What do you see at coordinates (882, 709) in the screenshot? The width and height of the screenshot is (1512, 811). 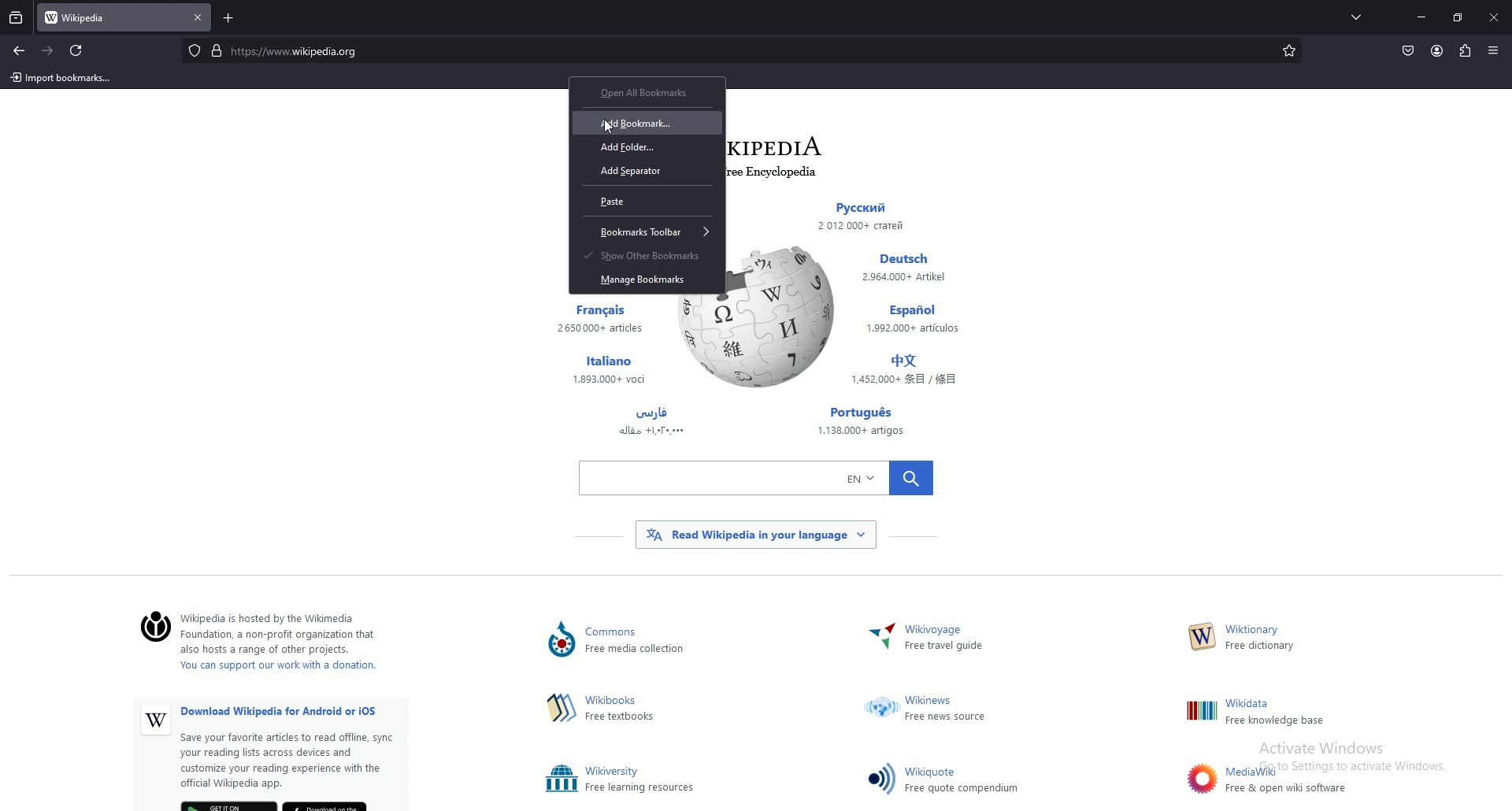 I see `` at bounding box center [882, 709].